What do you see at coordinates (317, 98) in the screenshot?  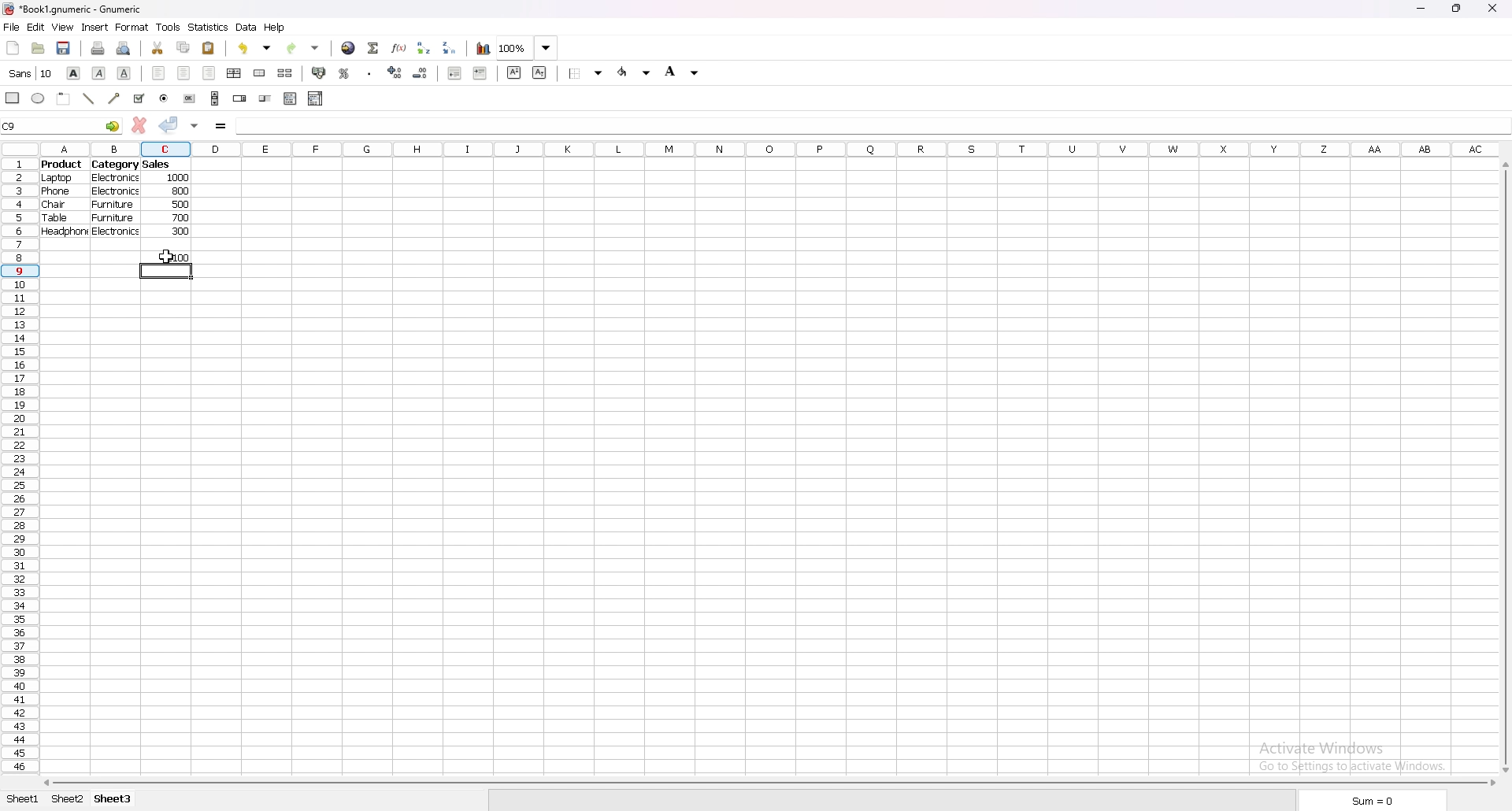 I see `combo box` at bounding box center [317, 98].